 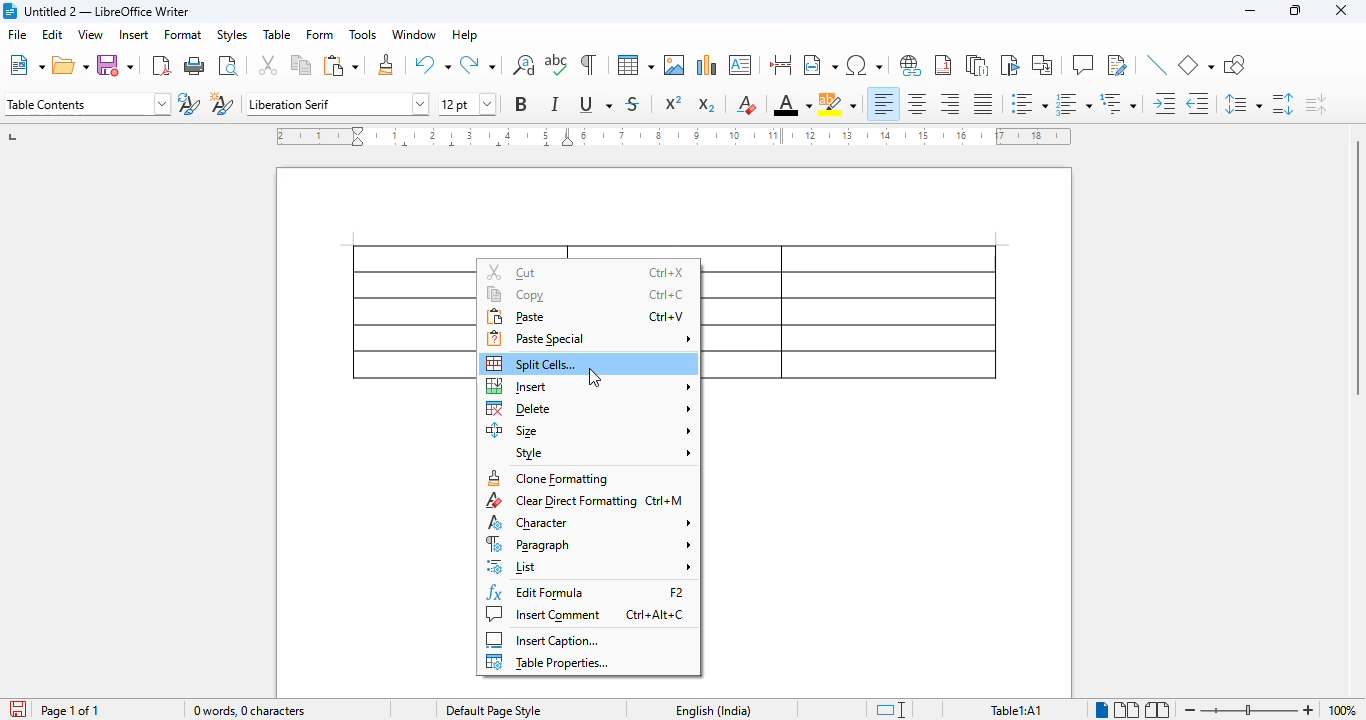 What do you see at coordinates (781, 65) in the screenshot?
I see `insert page break` at bounding box center [781, 65].